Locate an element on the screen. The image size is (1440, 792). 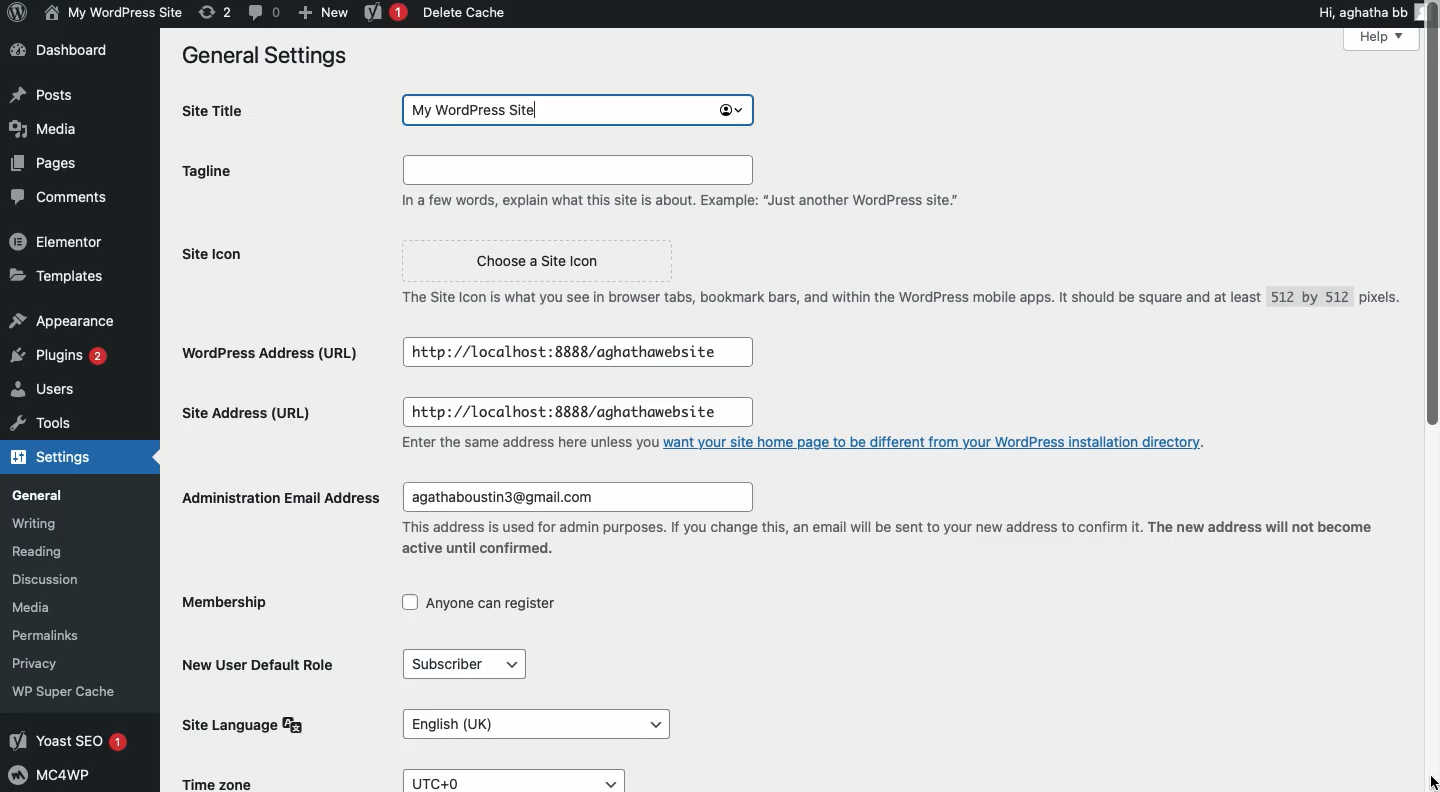
English (UK) is located at coordinates (533, 723).